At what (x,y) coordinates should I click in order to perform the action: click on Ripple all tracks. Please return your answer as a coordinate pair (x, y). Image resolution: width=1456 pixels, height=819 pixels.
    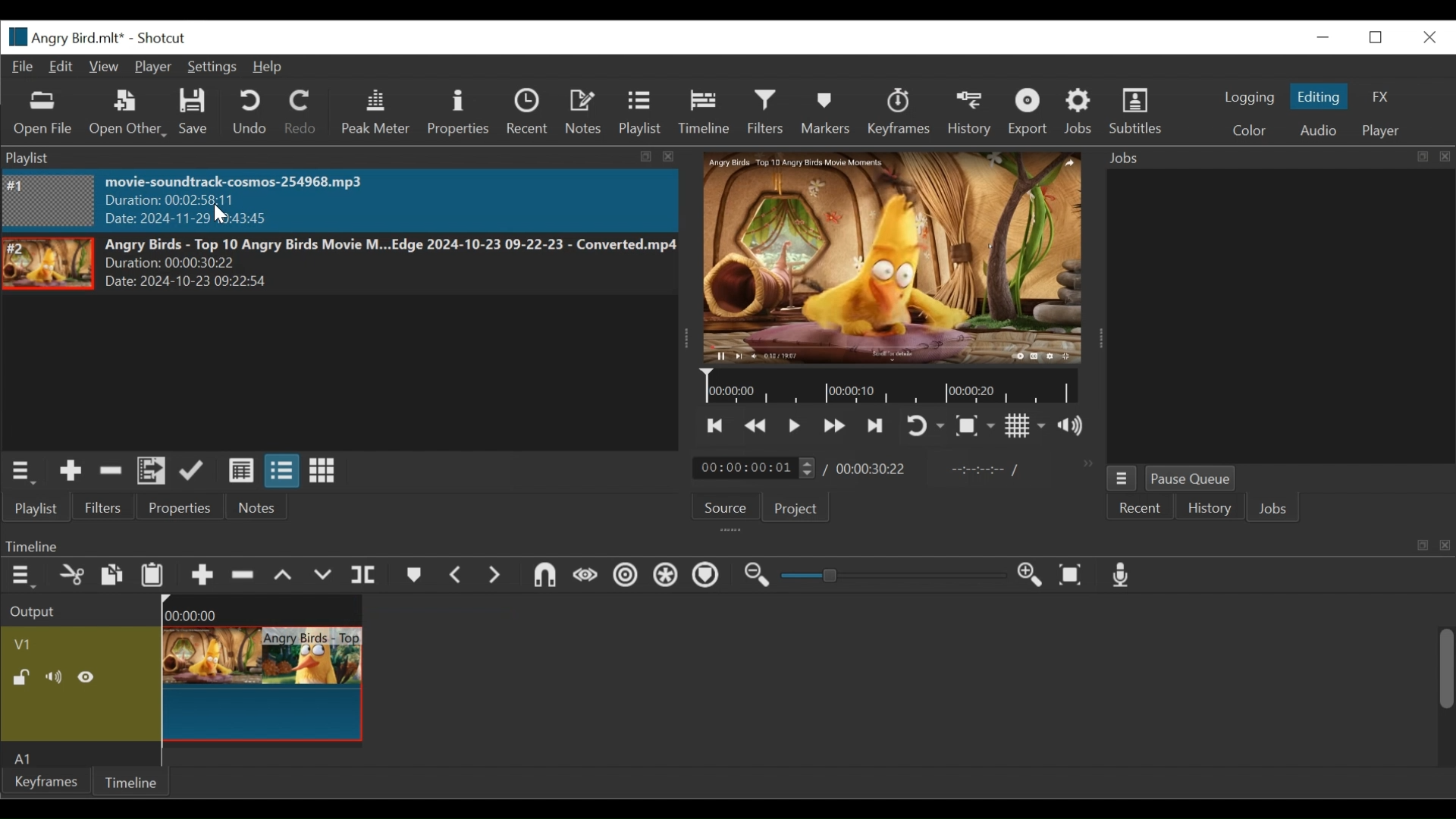
    Looking at the image, I should click on (667, 578).